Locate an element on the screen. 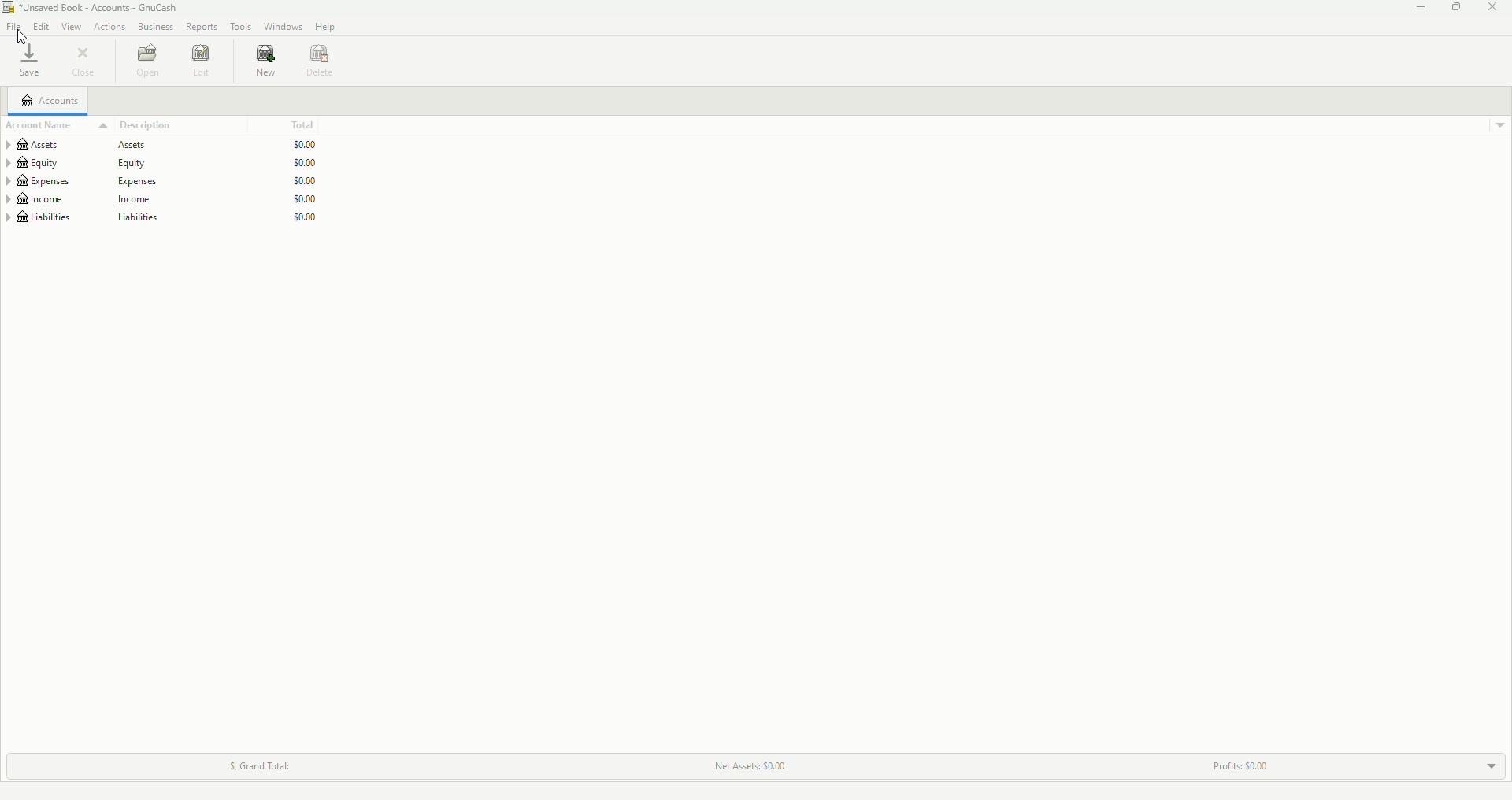  New is located at coordinates (268, 63).